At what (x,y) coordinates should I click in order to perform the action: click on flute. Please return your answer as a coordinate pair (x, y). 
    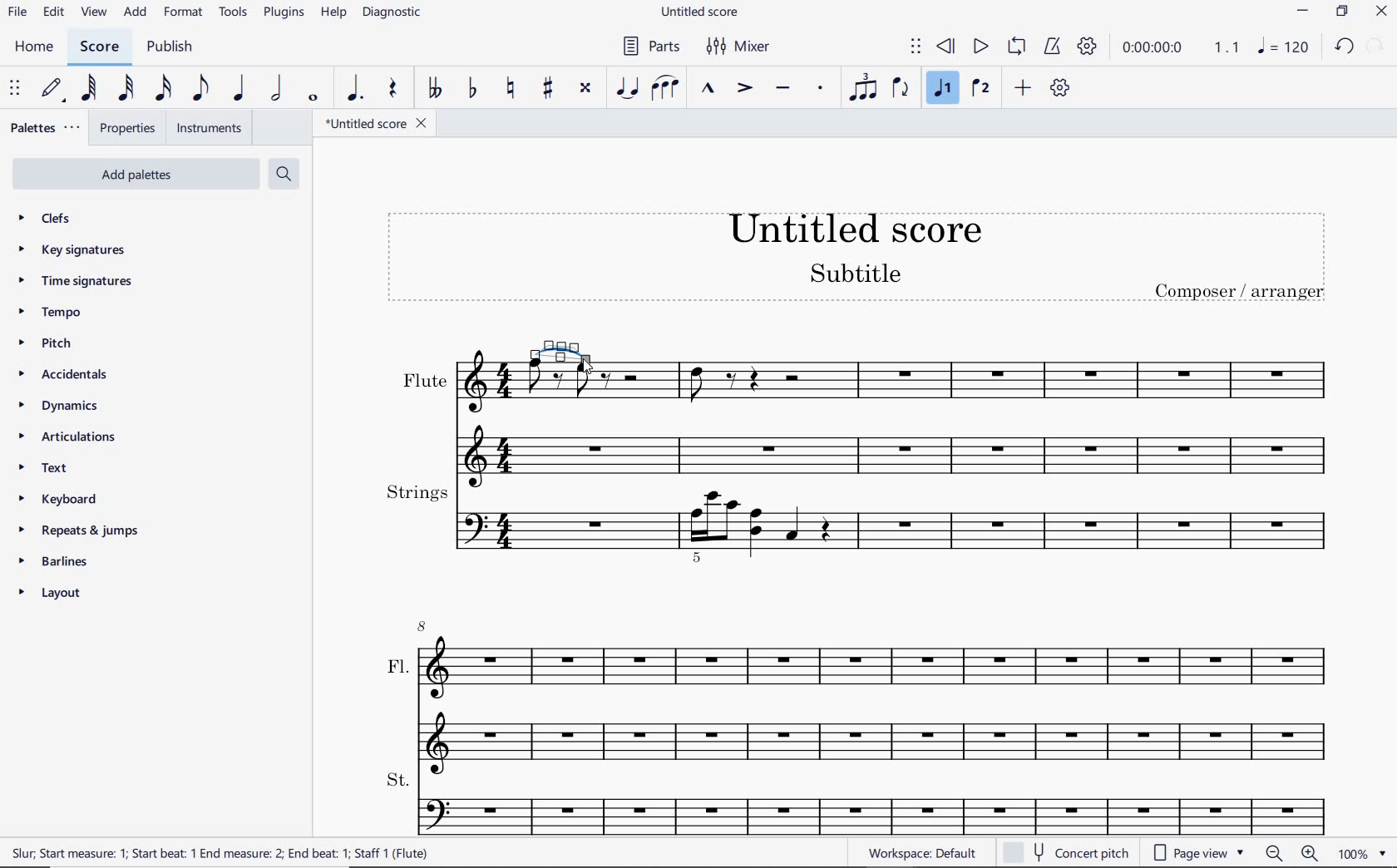
    Looking at the image, I should click on (615, 421).